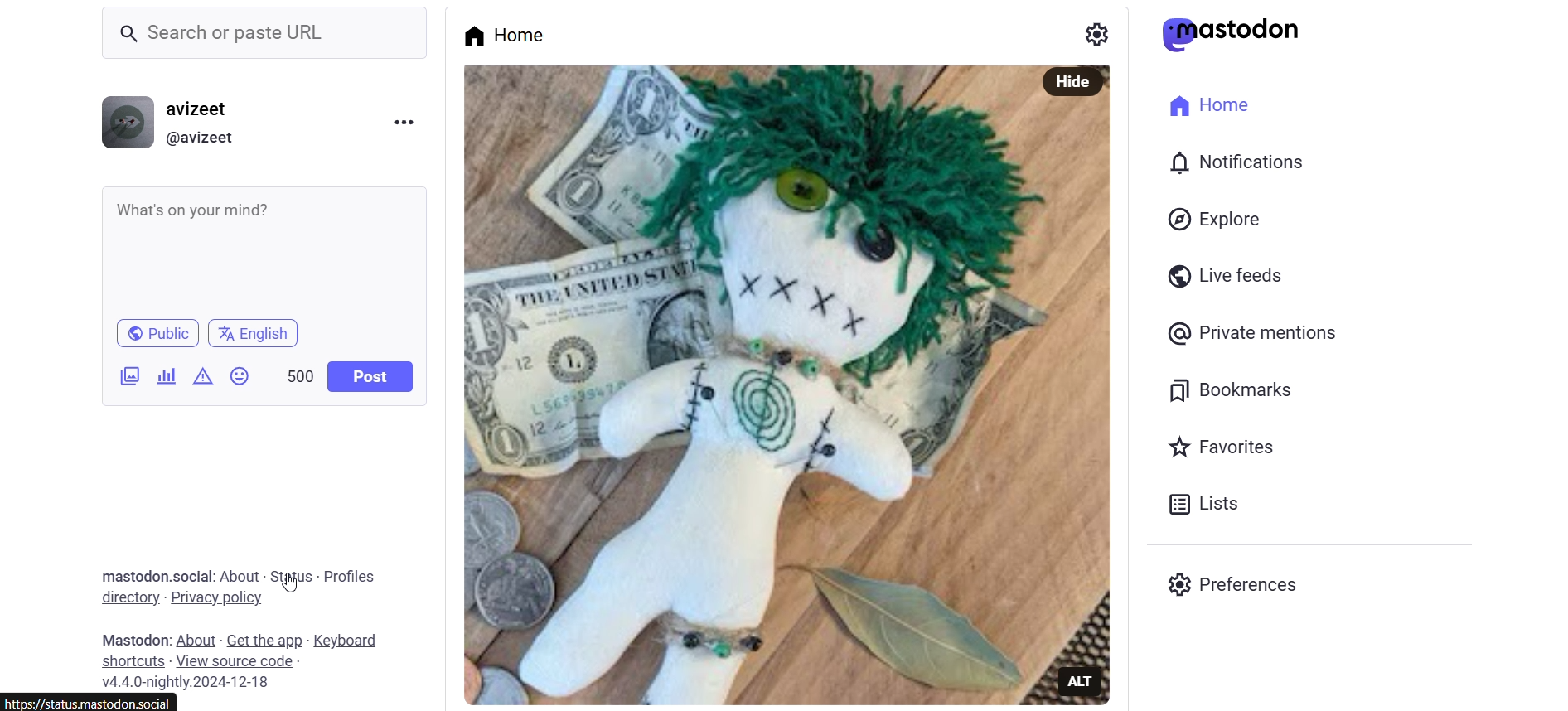  I want to click on directory, so click(131, 599).